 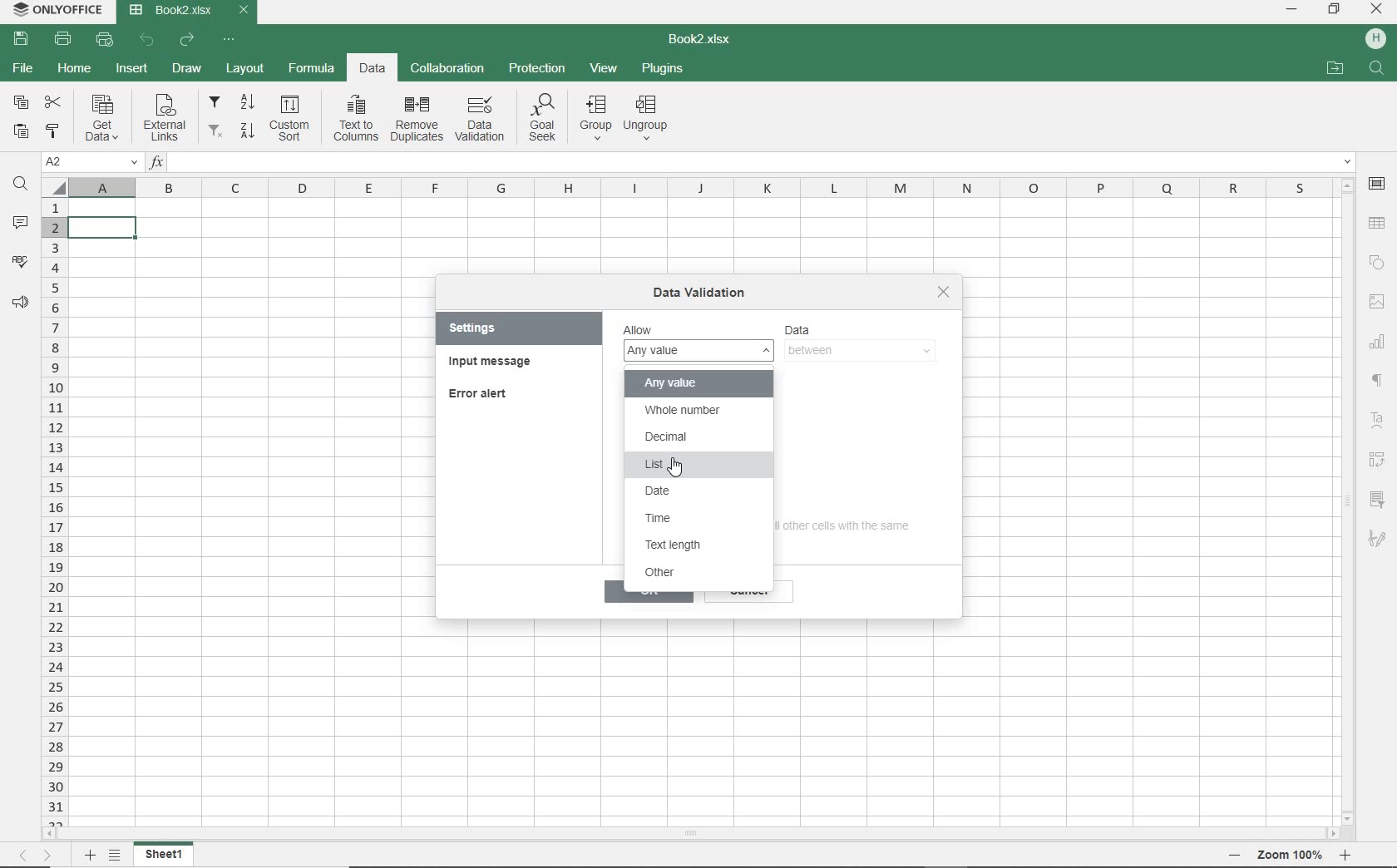 I want to click on filter, so click(x=216, y=102).